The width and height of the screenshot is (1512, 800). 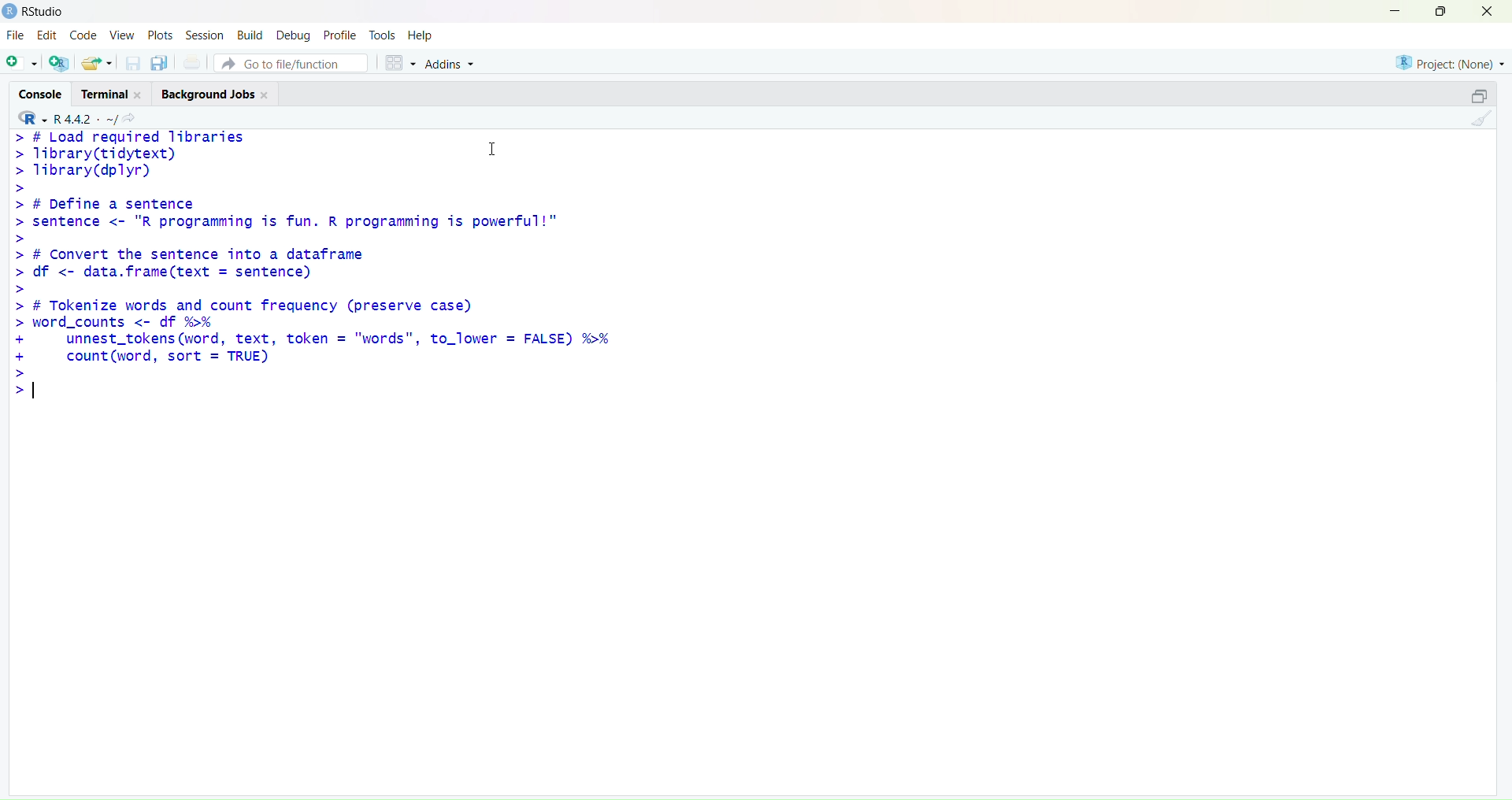 I want to click on code, so click(x=87, y=36).